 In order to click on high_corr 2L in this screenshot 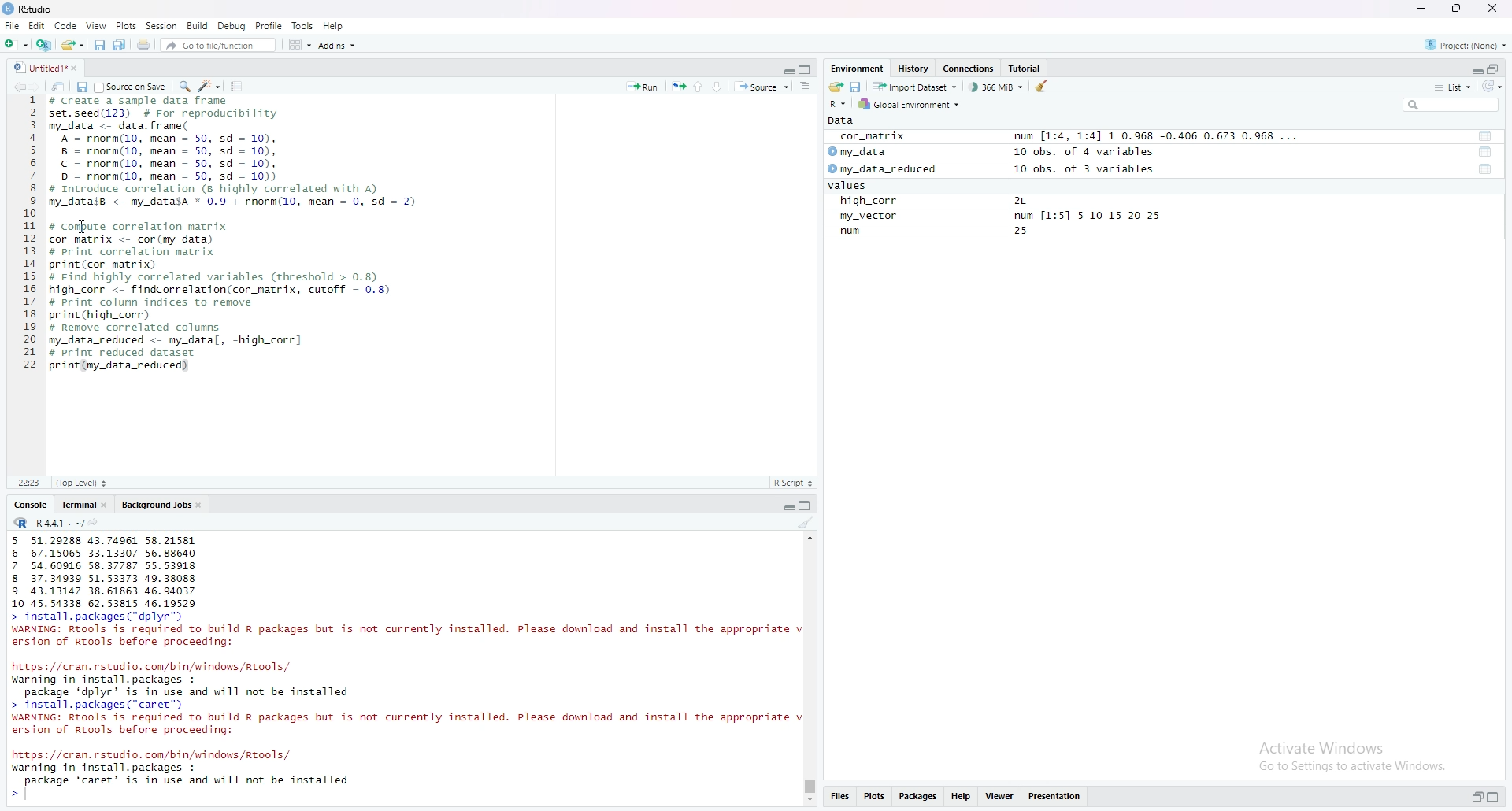, I will do `click(943, 202)`.